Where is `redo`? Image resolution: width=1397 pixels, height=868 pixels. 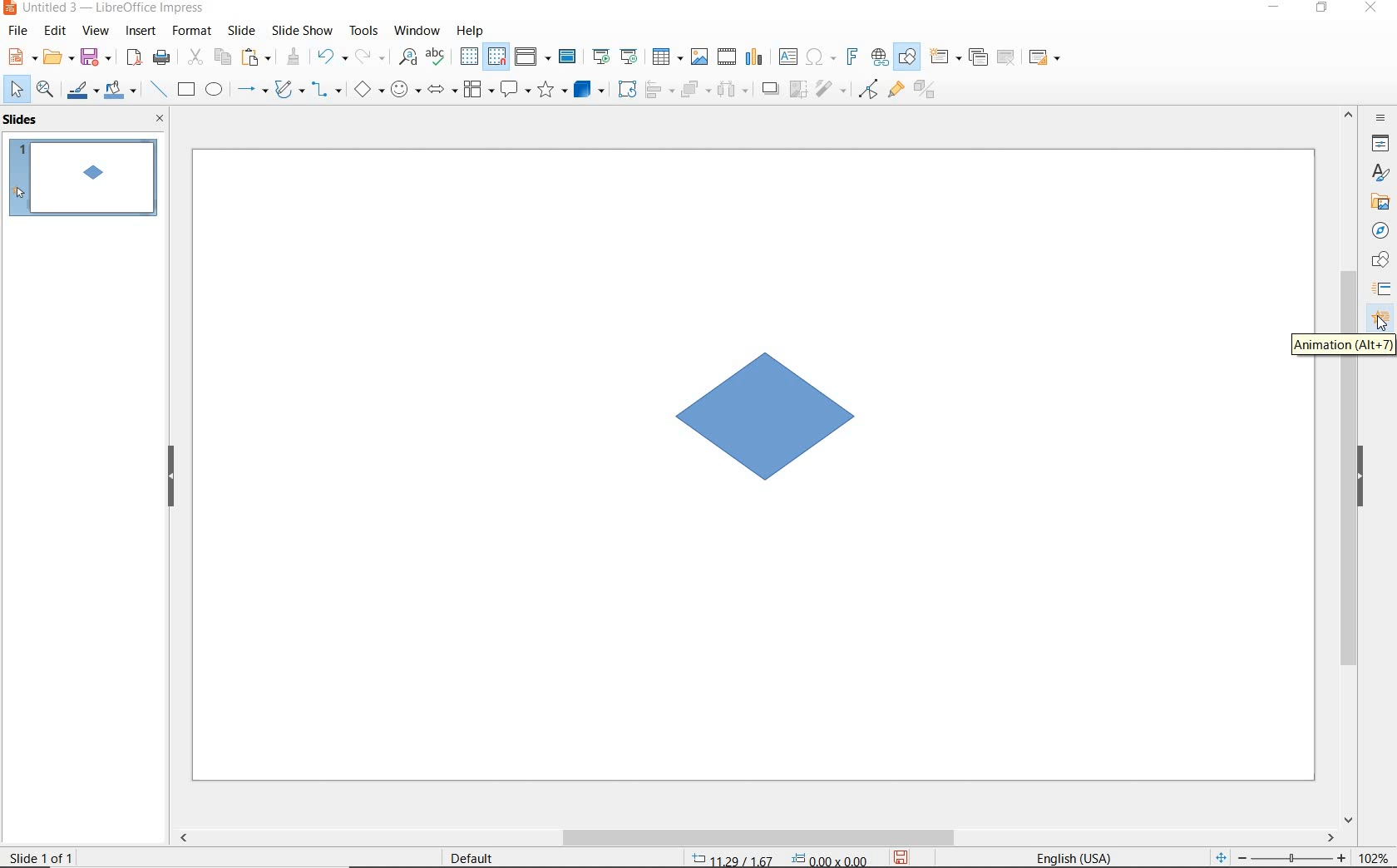 redo is located at coordinates (369, 57).